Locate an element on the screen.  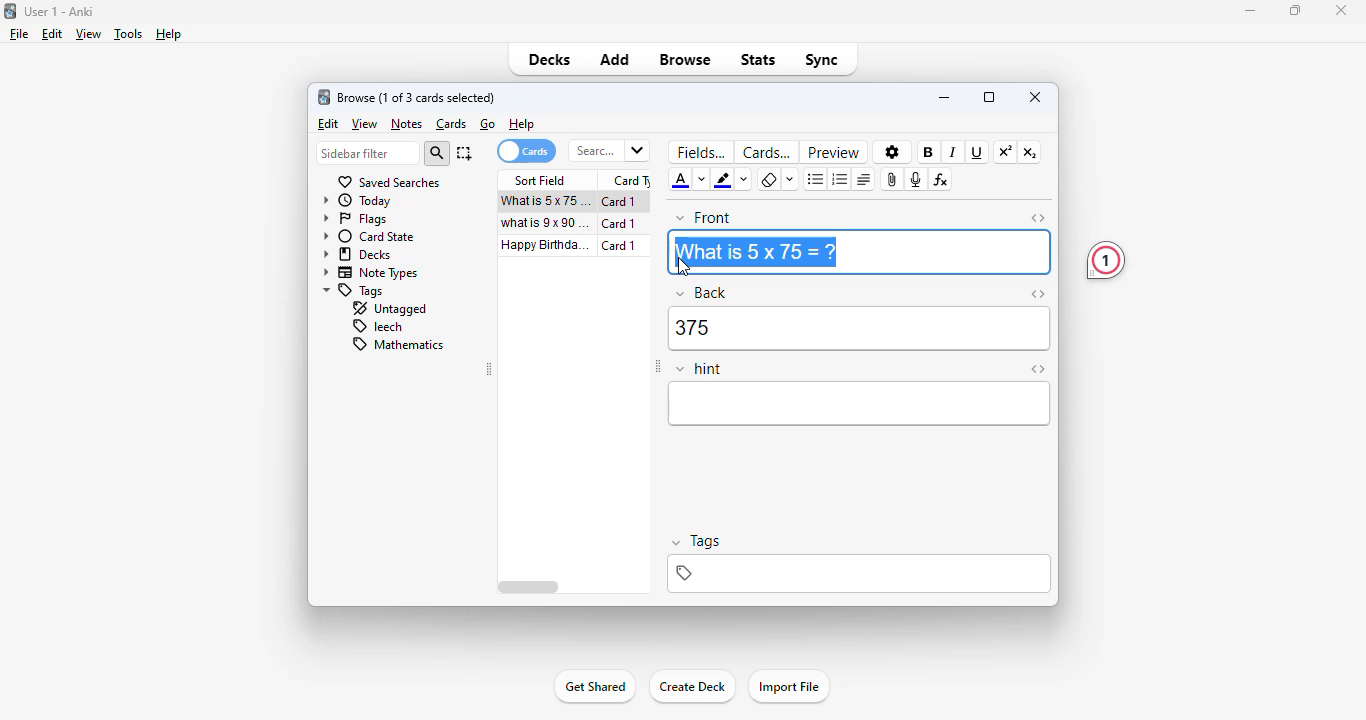
tools is located at coordinates (130, 34).